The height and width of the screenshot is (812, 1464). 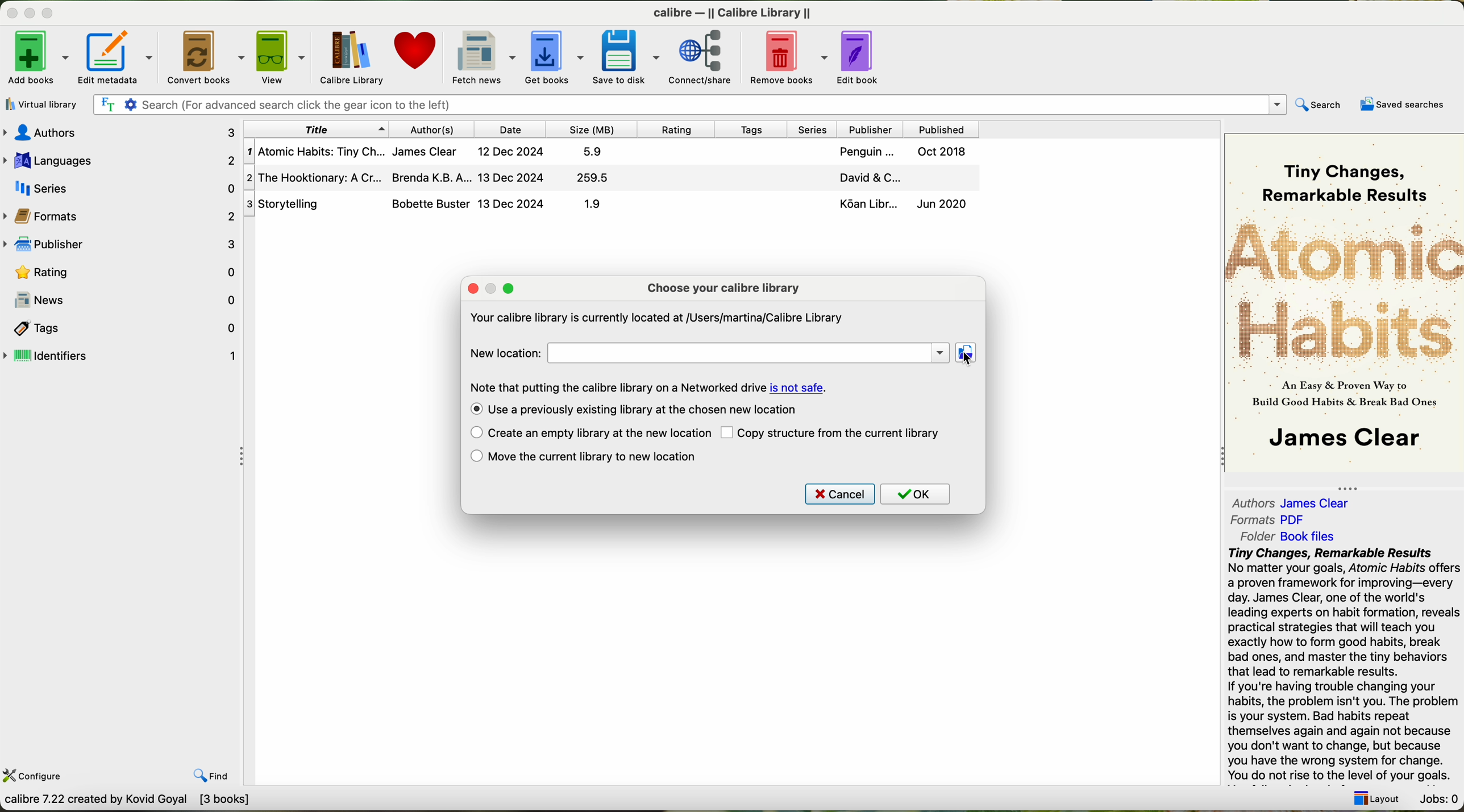 What do you see at coordinates (617, 387) in the screenshot?
I see `note that putting the calibre library on a Networked drive` at bounding box center [617, 387].